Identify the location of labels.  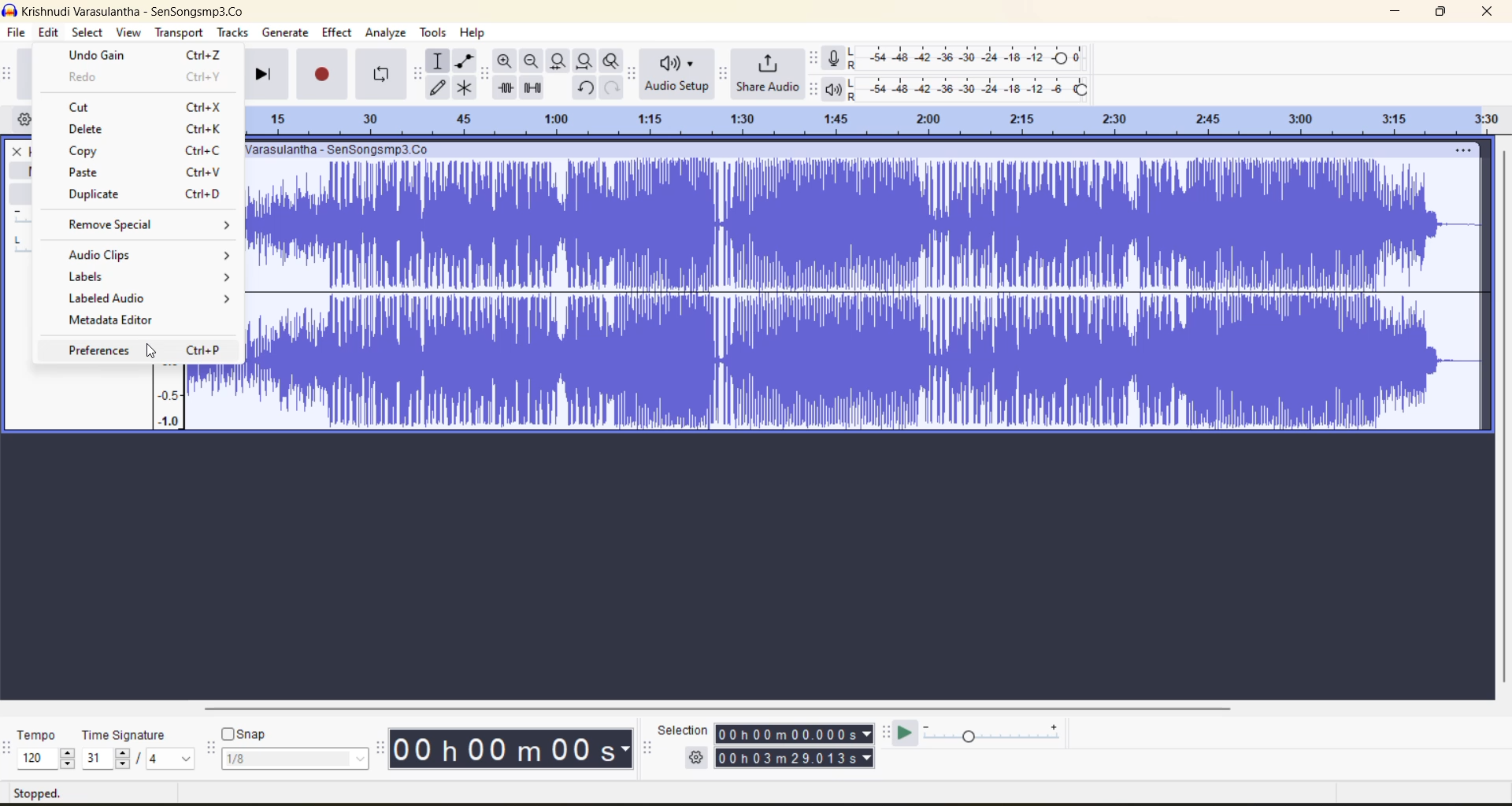
(145, 273).